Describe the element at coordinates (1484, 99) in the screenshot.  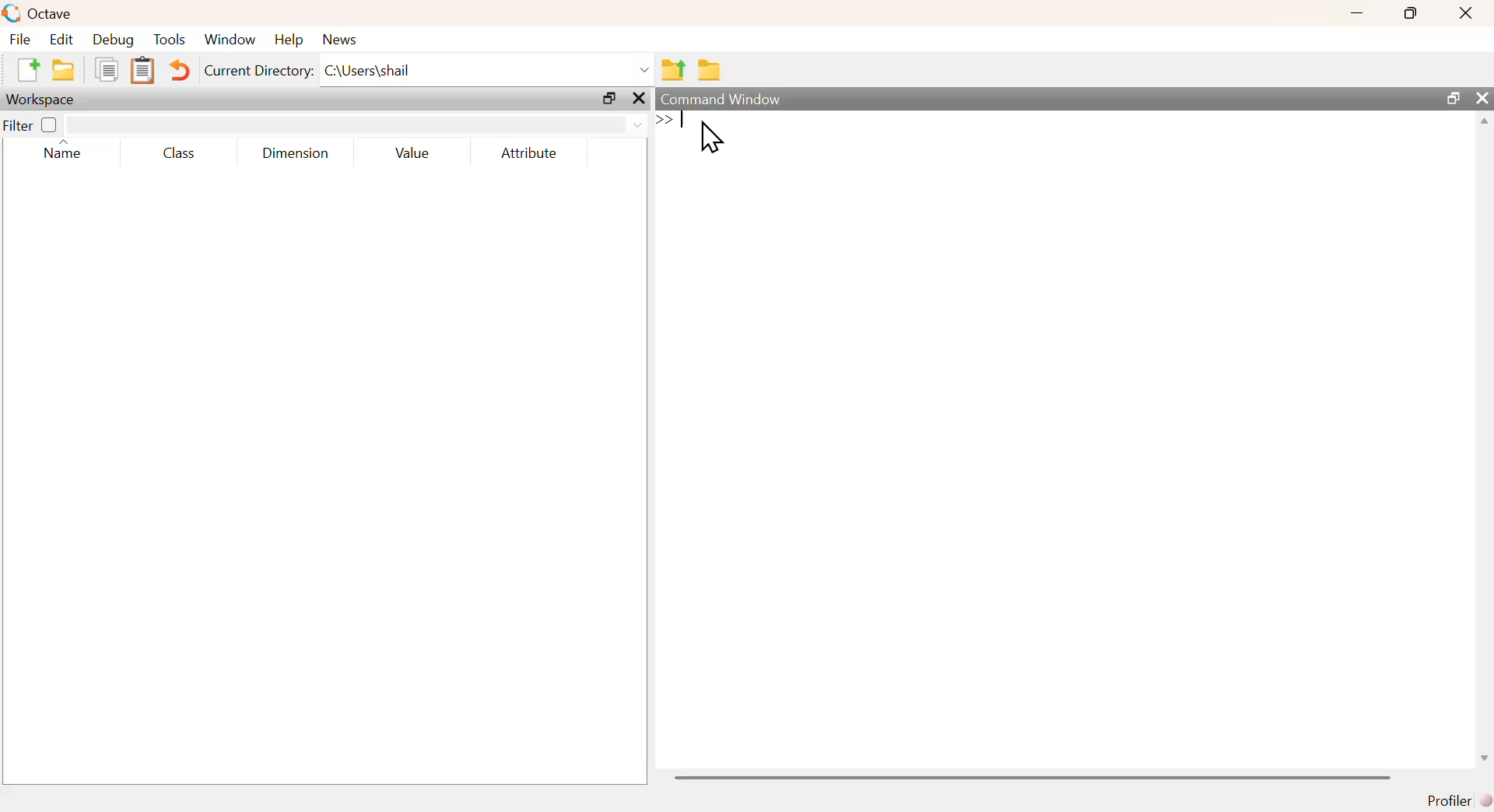
I see `close` at that location.